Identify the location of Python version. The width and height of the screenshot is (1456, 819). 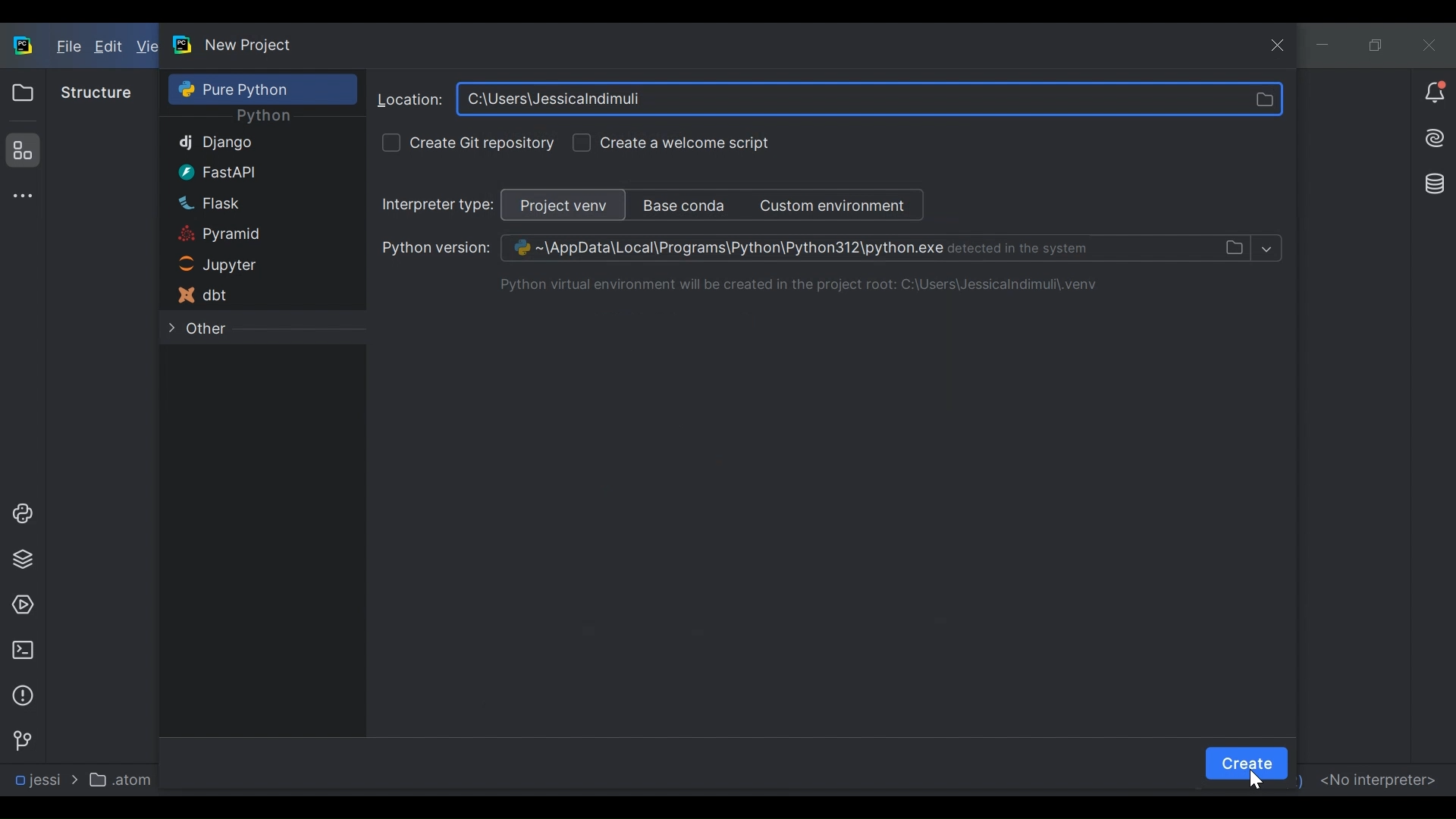
(426, 249).